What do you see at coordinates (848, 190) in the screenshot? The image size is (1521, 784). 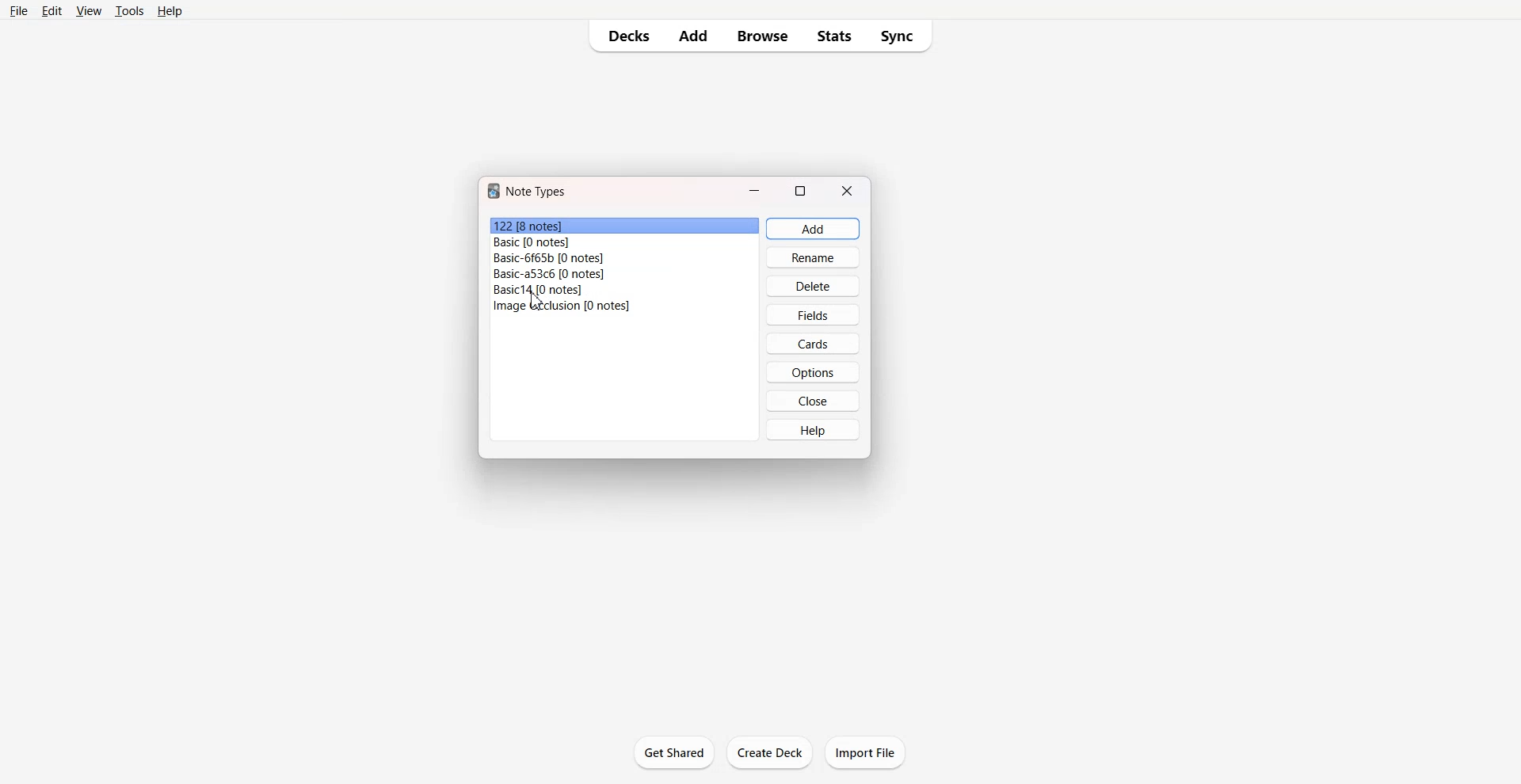 I see `Close` at bounding box center [848, 190].